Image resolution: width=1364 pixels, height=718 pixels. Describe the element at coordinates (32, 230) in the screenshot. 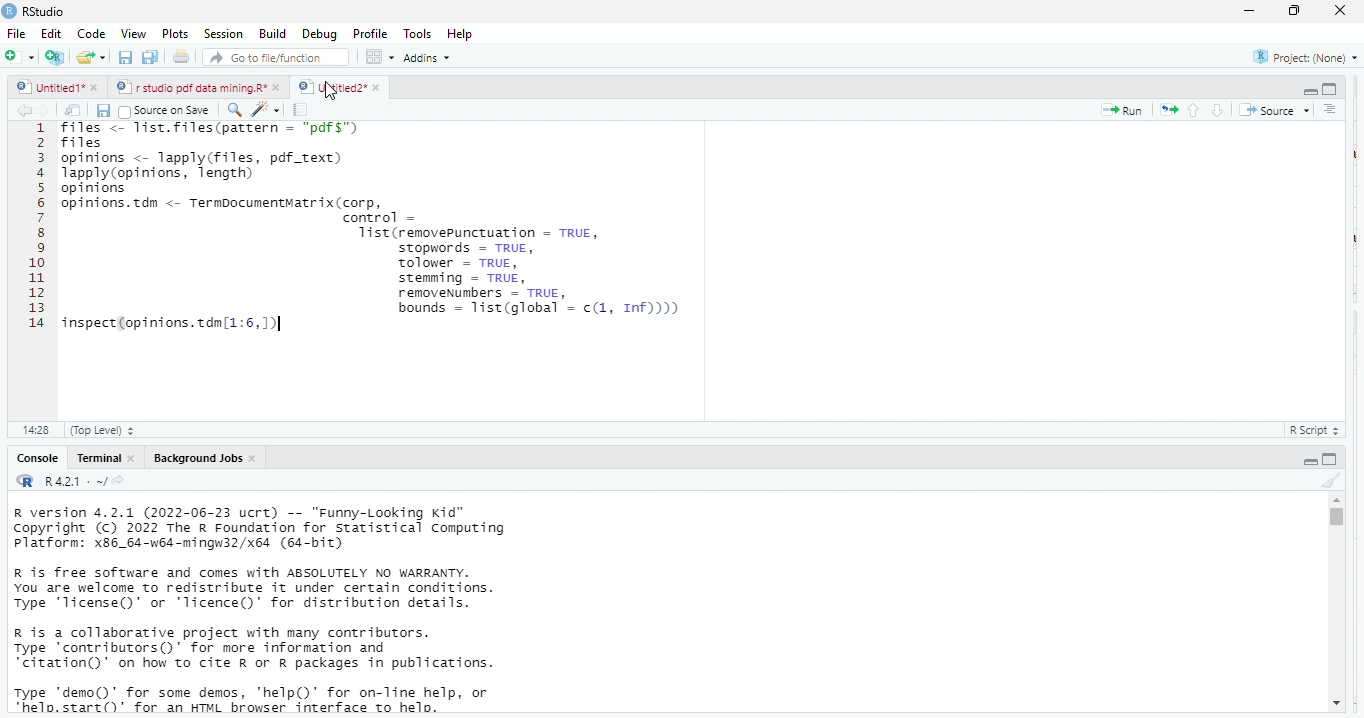

I see `+
2
3
a
5
6
7
3
9
10
11
12
13
14` at that location.